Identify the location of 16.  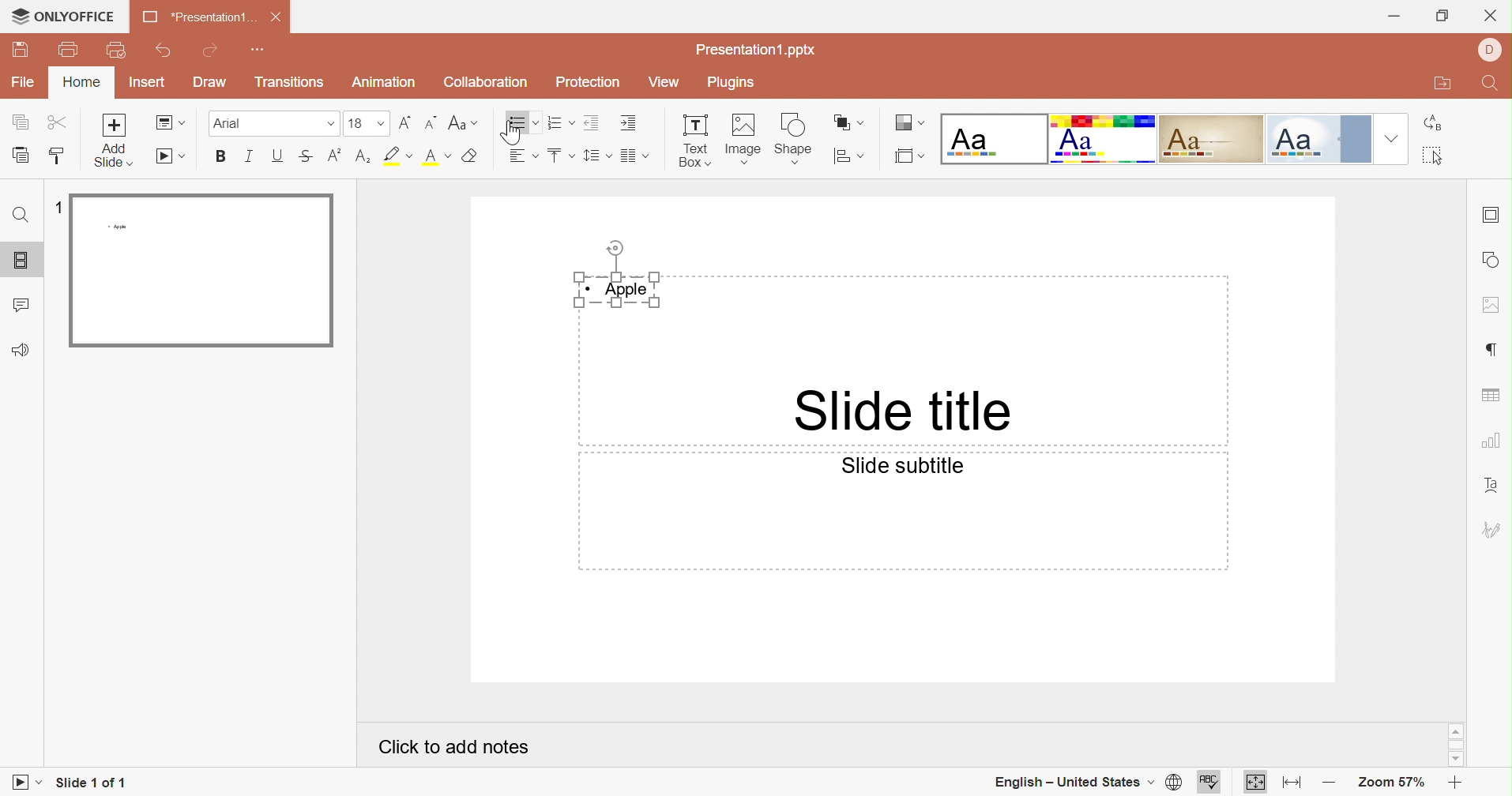
(358, 123).